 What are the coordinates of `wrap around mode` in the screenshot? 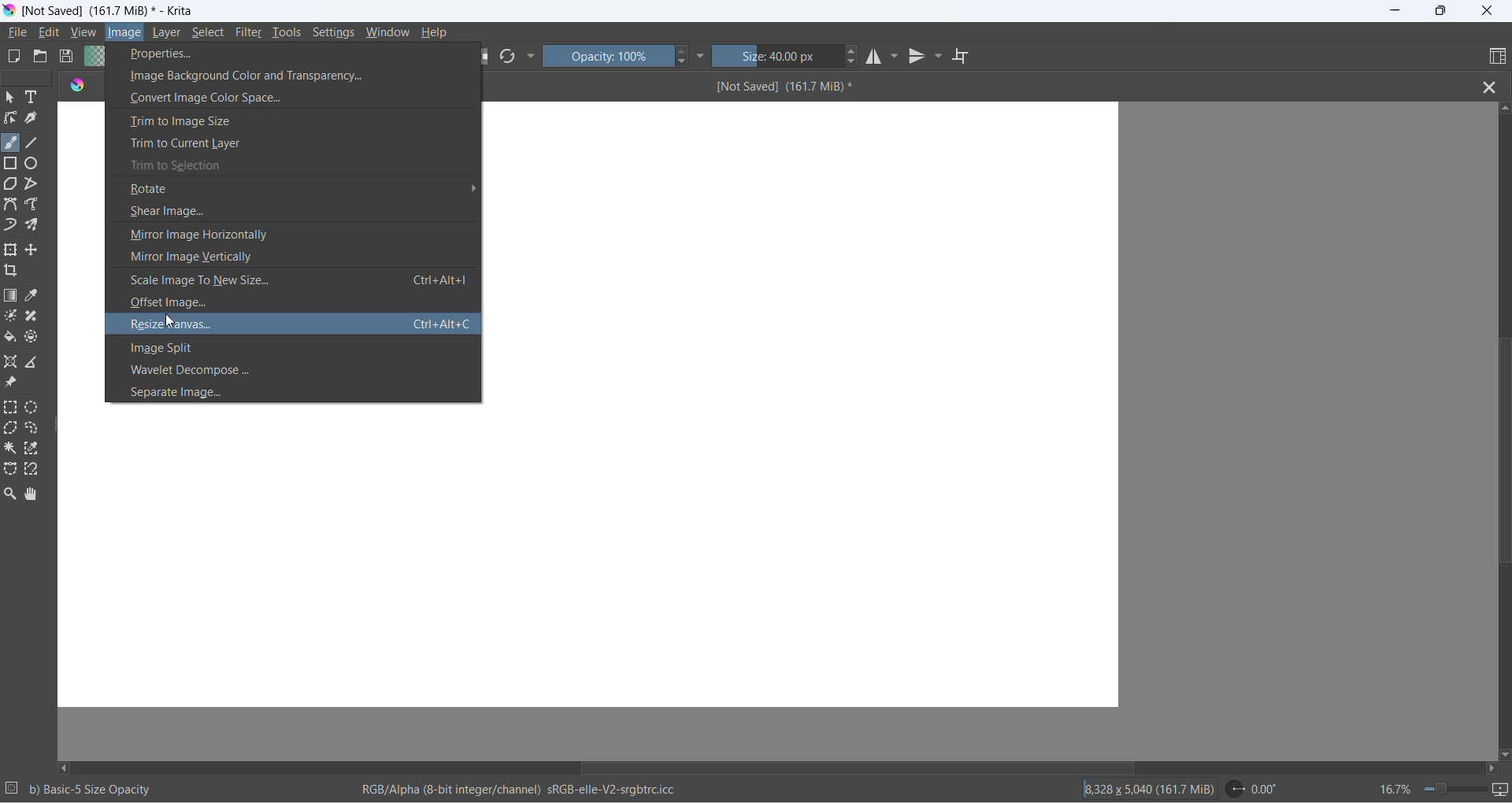 It's located at (967, 57).